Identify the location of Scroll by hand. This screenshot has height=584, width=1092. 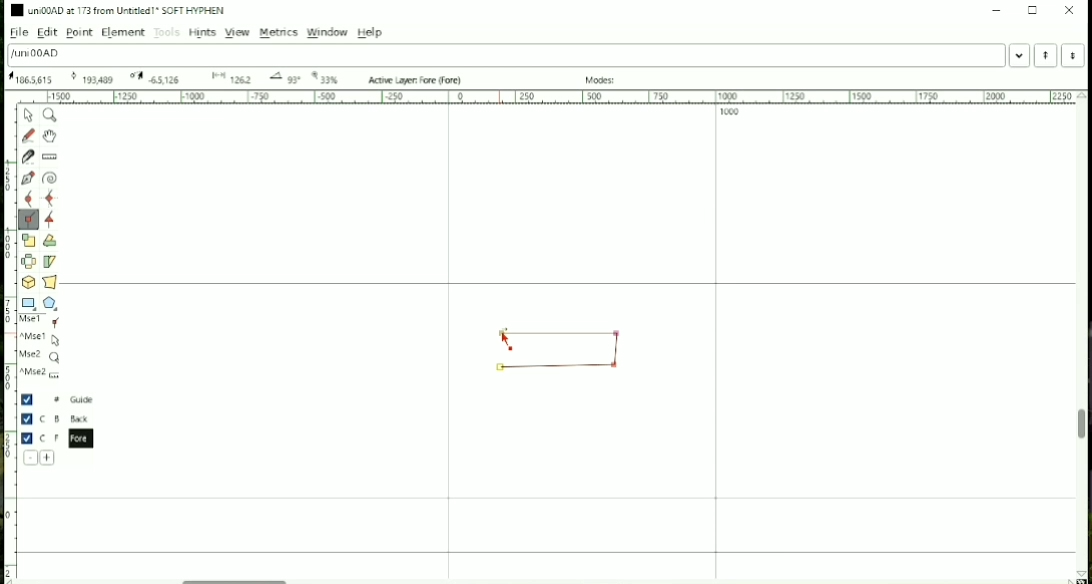
(49, 136).